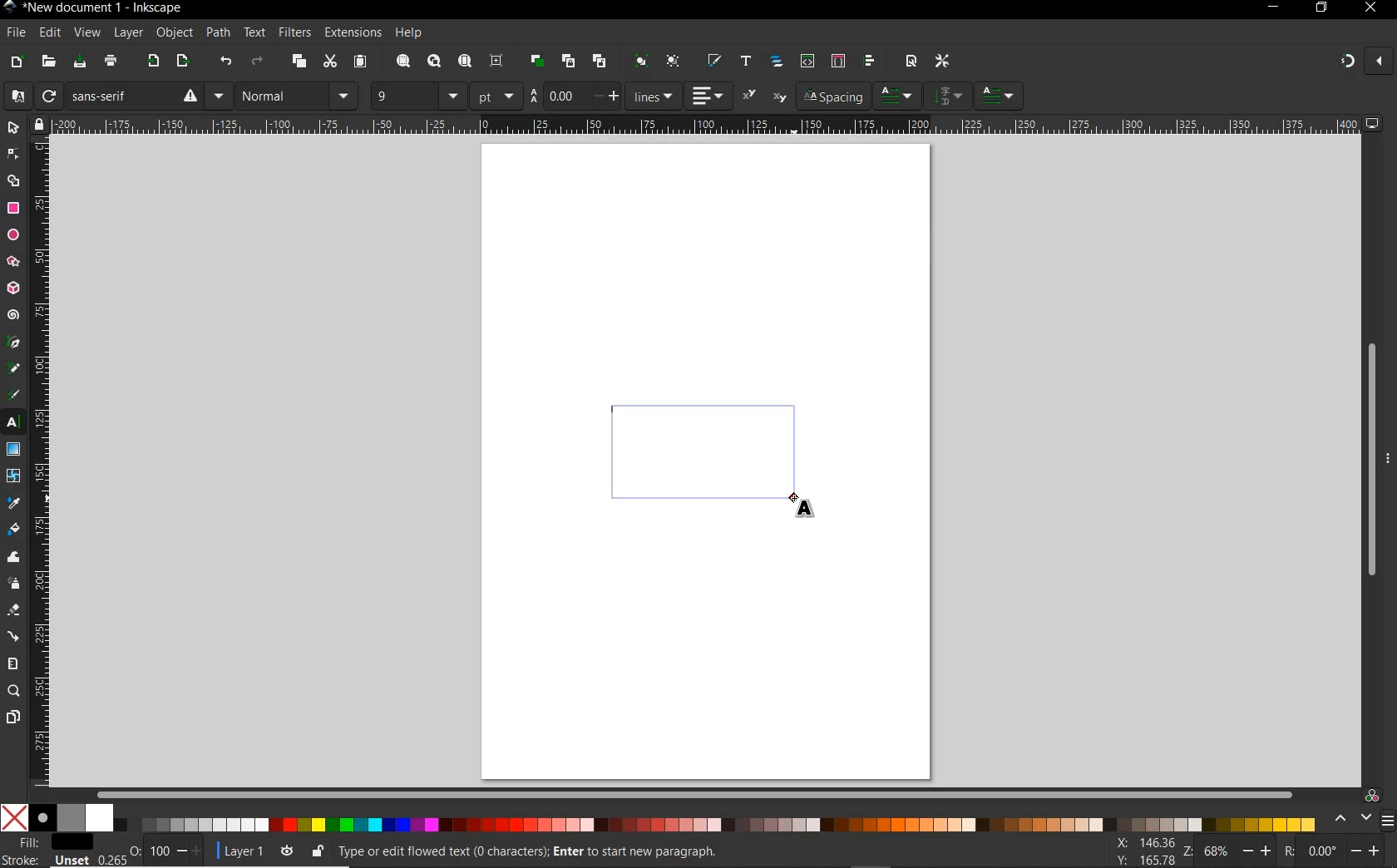  What do you see at coordinates (37, 124) in the screenshot?
I see `lock` at bounding box center [37, 124].